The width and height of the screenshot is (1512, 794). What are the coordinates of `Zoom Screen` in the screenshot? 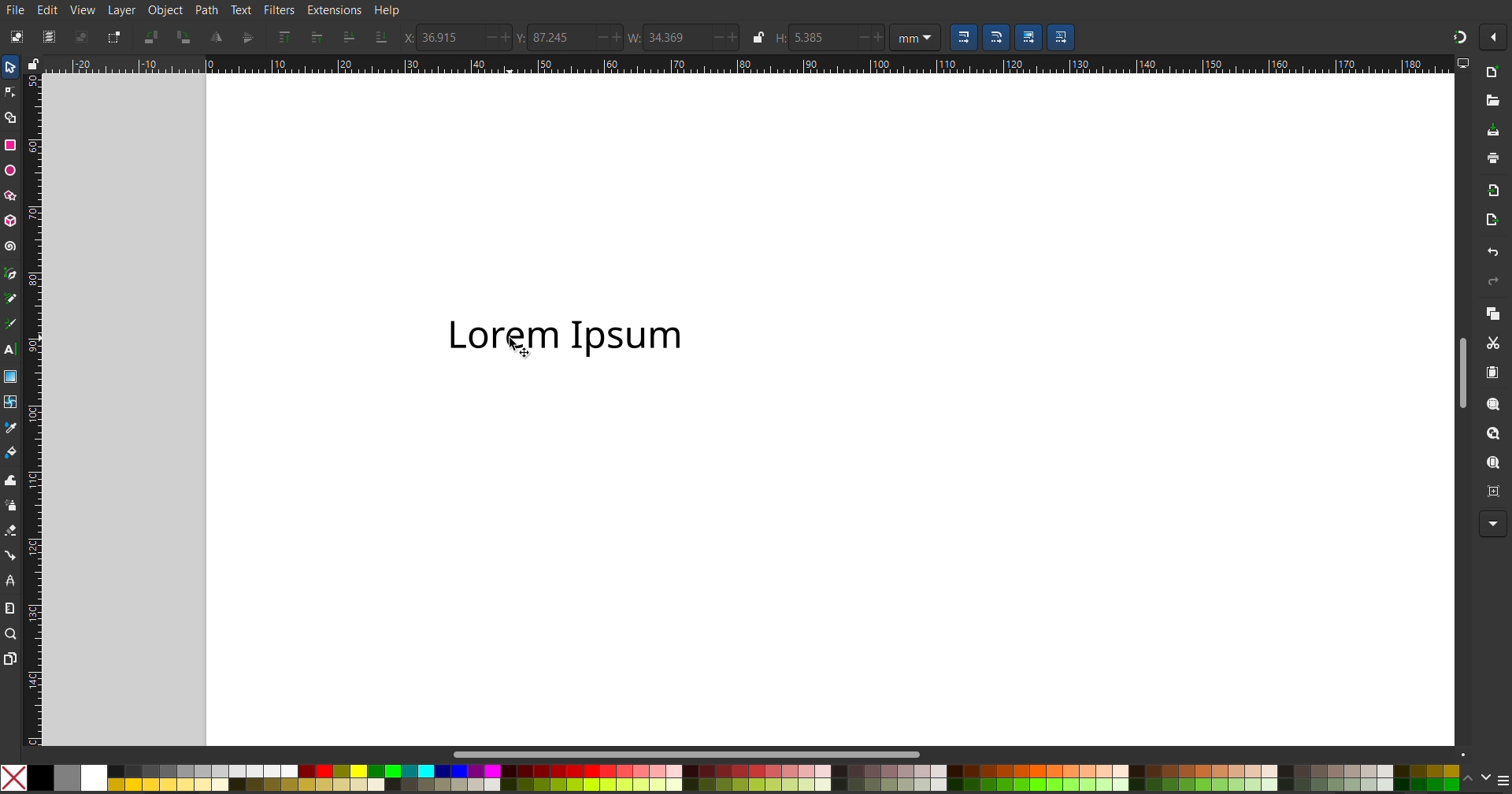 It's located at (1495, 462).